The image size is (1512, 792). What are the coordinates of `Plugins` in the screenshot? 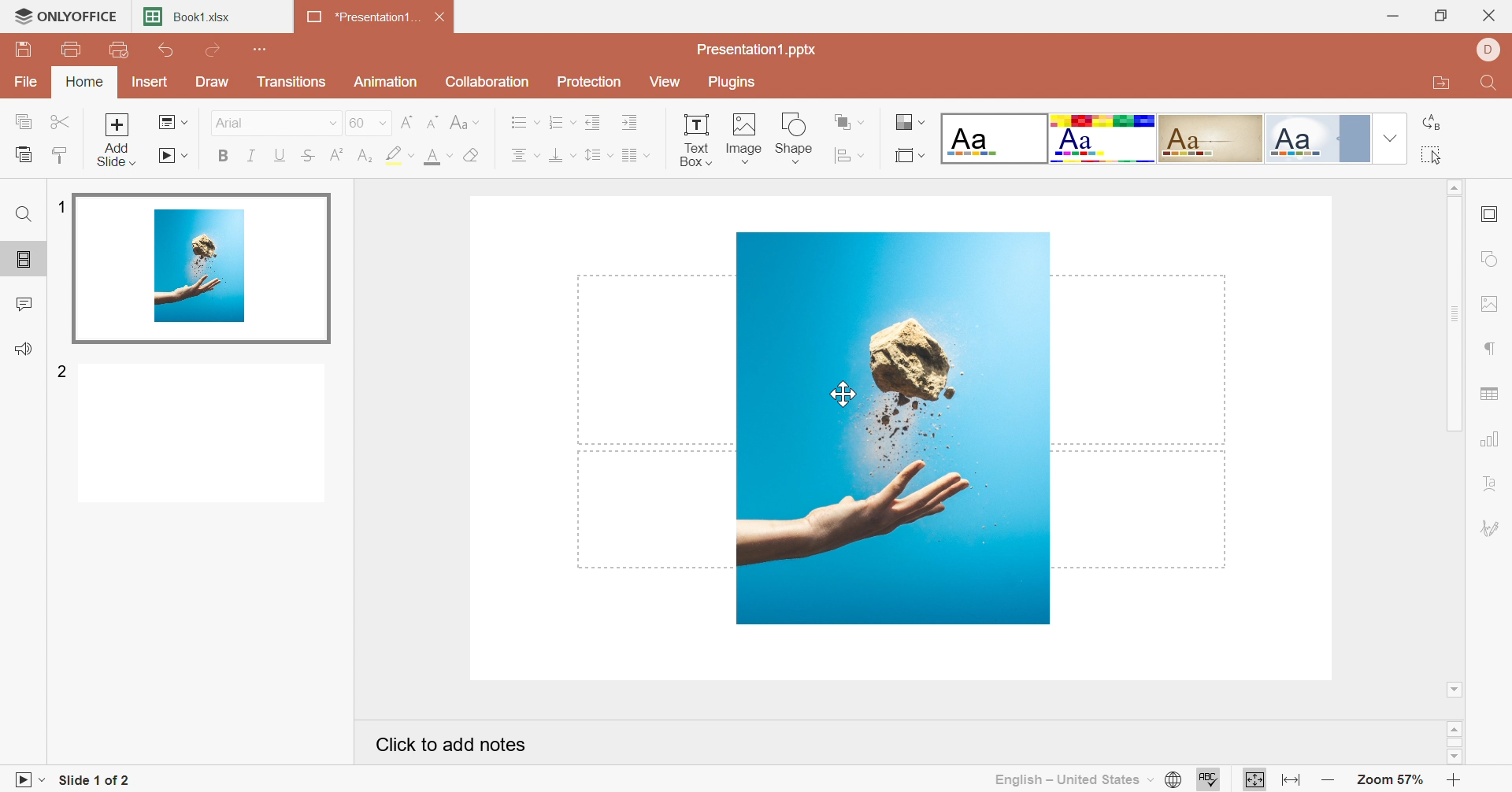 It's located at (735, 83).